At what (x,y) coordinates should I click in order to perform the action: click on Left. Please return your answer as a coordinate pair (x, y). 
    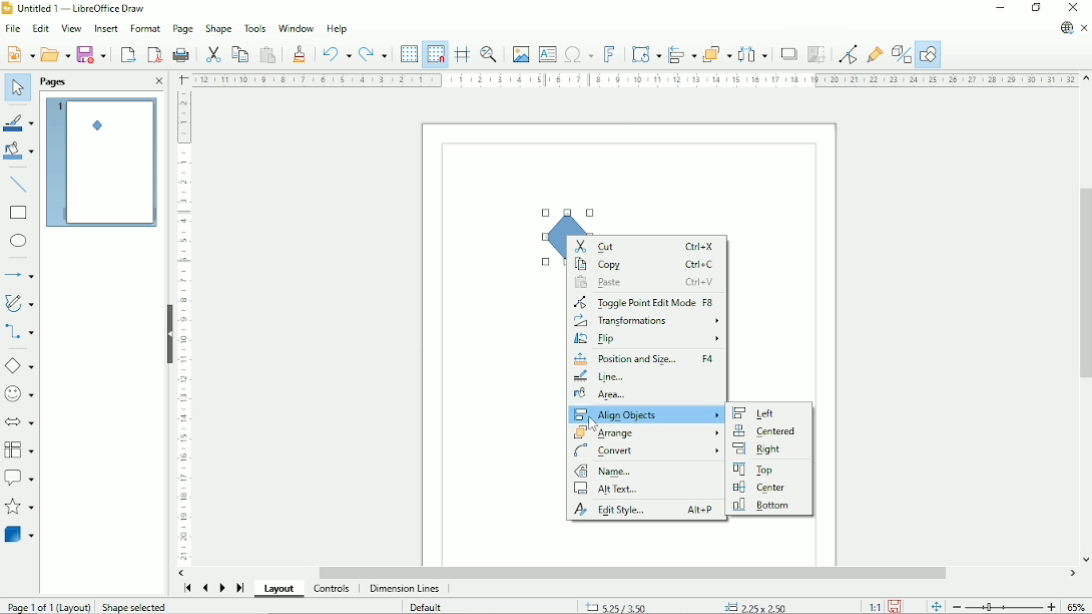
    Looking at the image, I should click on (757, 413).